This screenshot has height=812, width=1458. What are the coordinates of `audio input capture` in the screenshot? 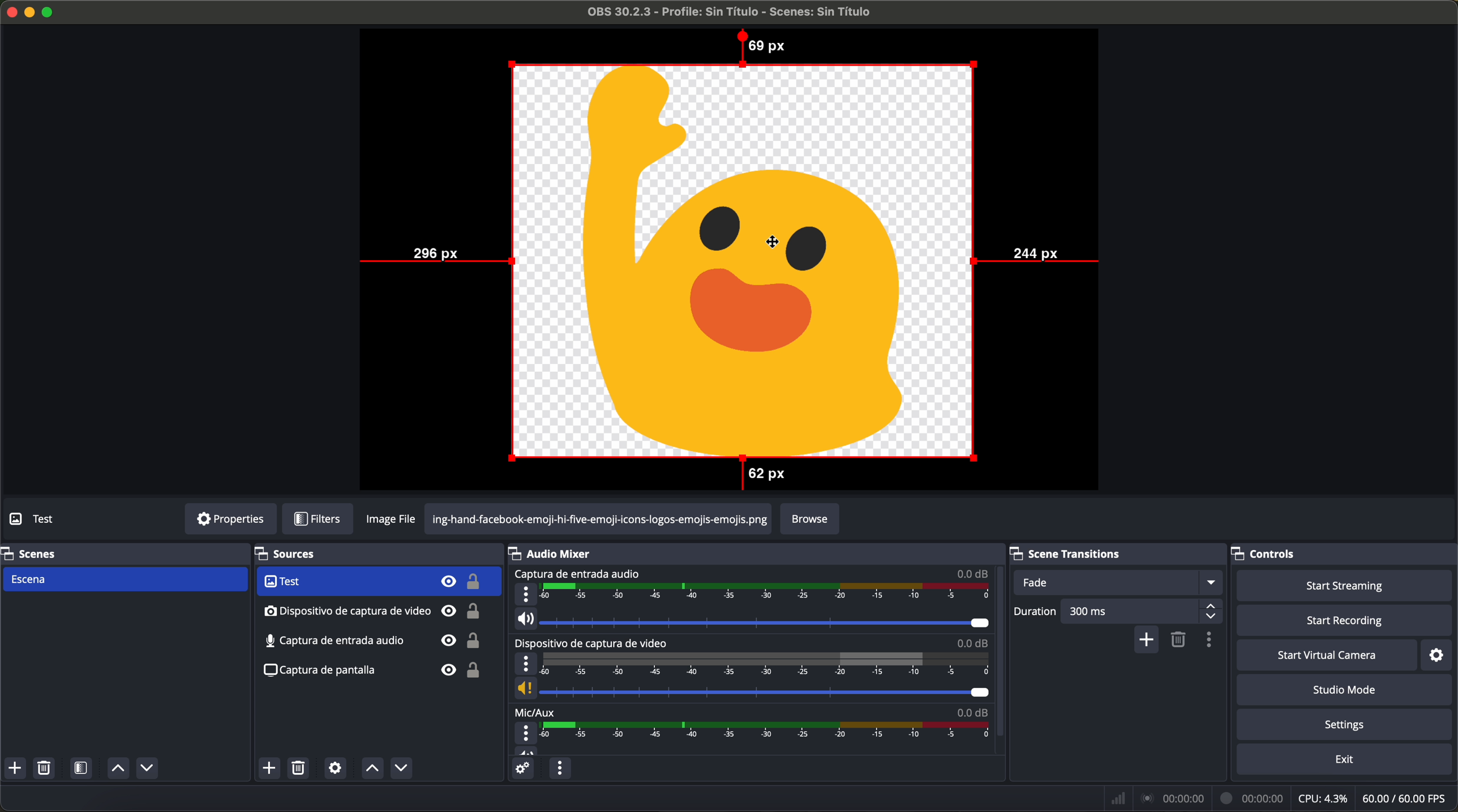 It's located at (373, 611).